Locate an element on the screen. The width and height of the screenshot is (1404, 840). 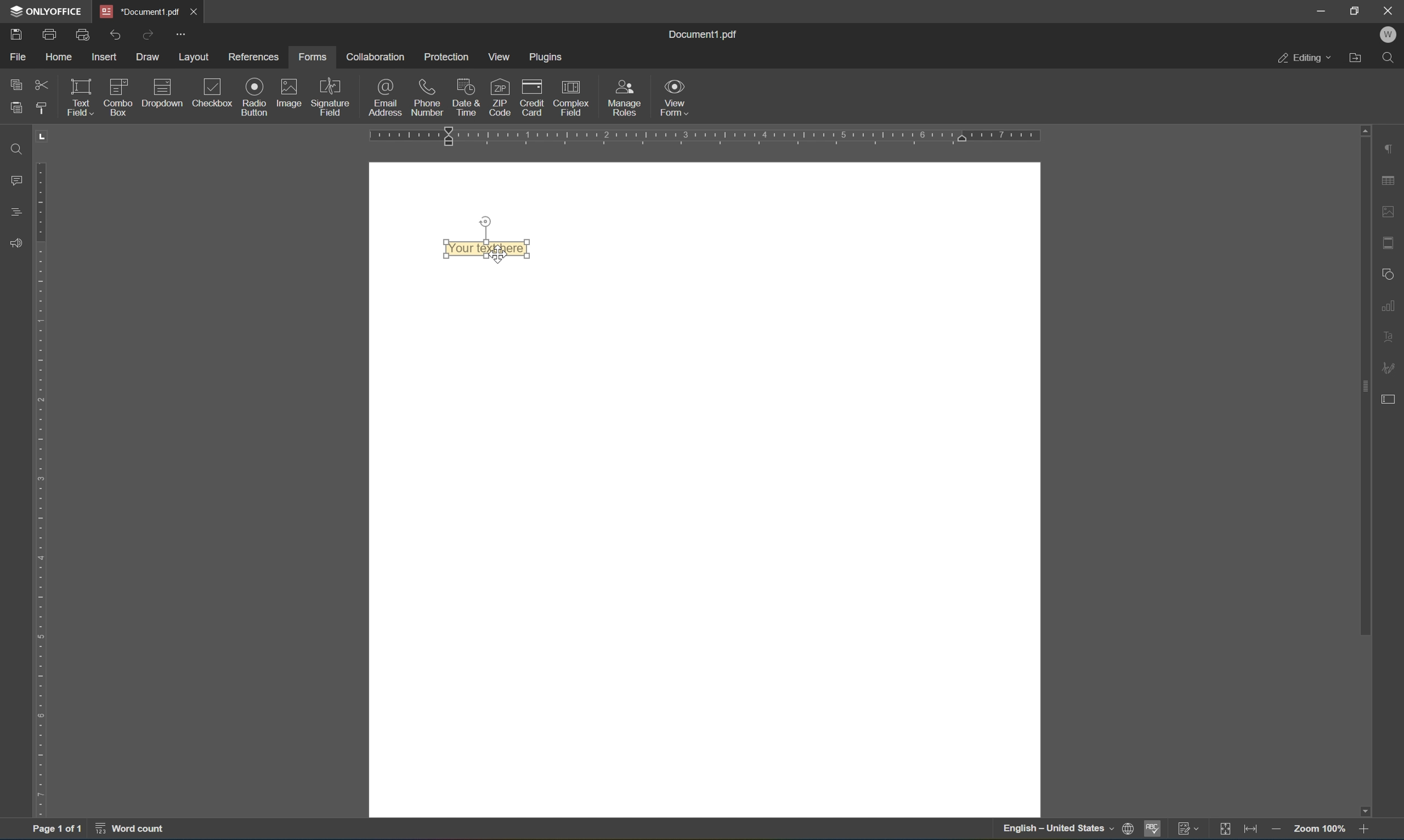
undo is located at coordinates (116, 35).